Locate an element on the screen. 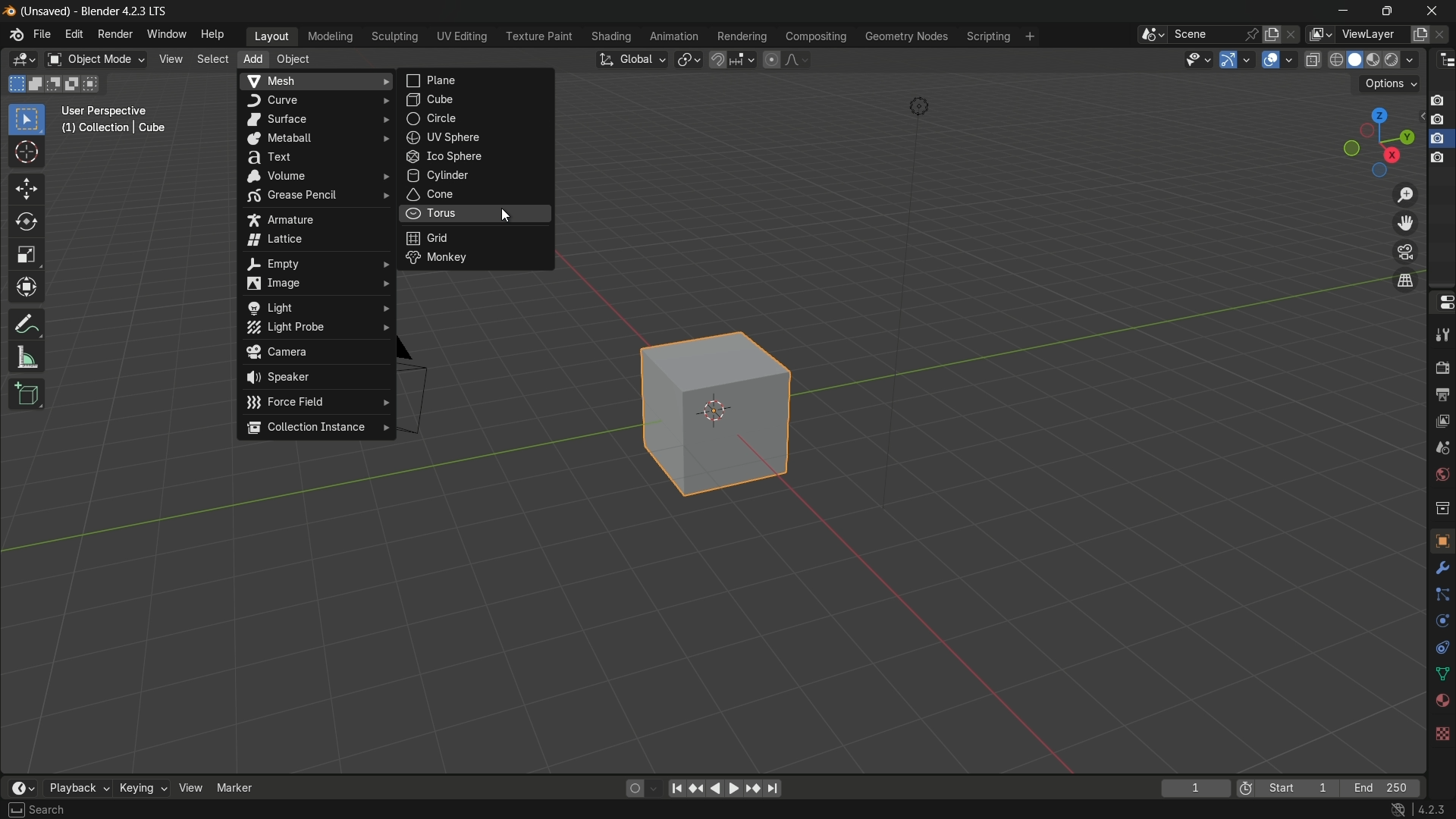  cone is located at coordinates (476, 195).